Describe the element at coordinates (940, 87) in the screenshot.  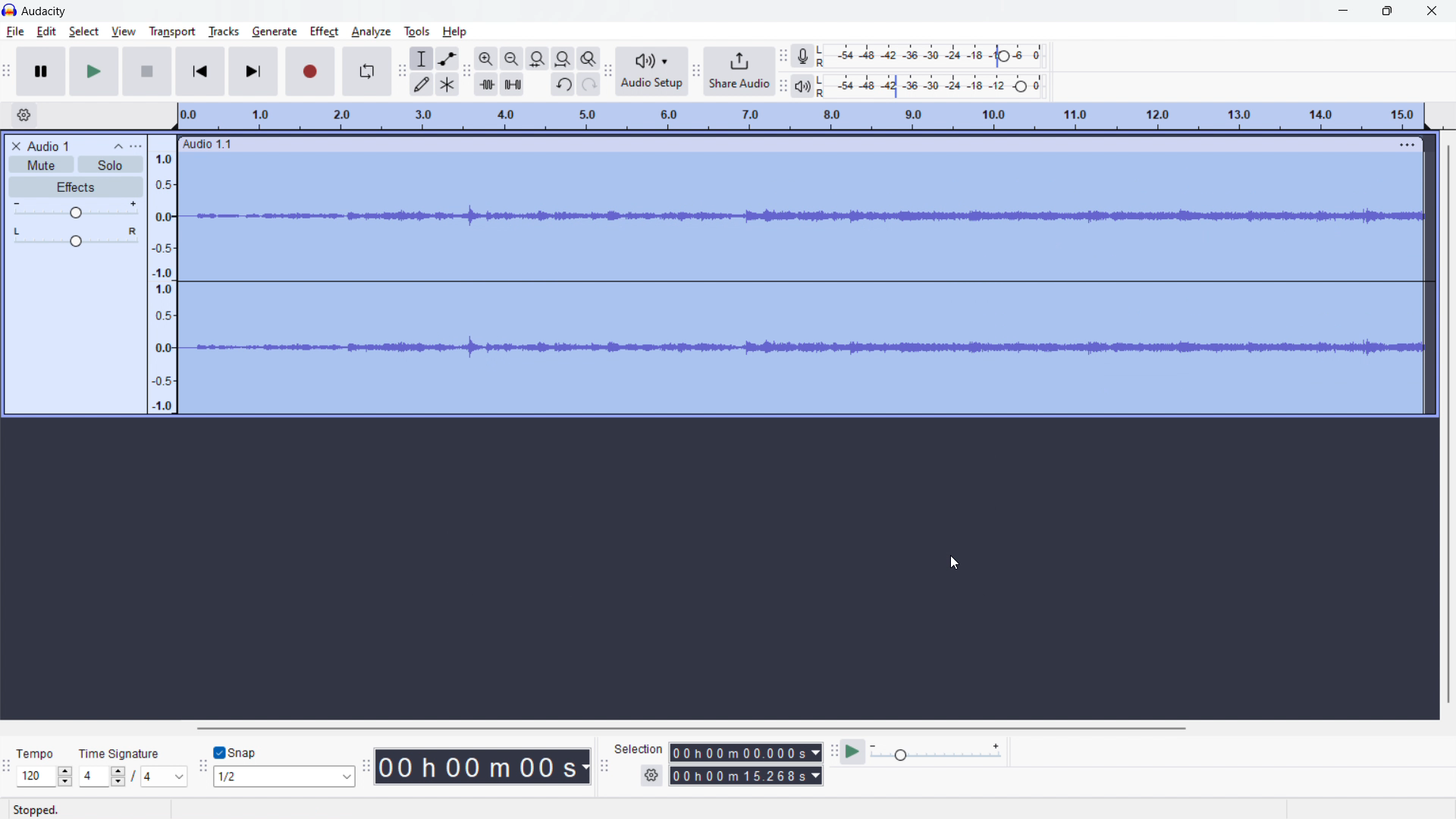
I see `playback level` at that location.